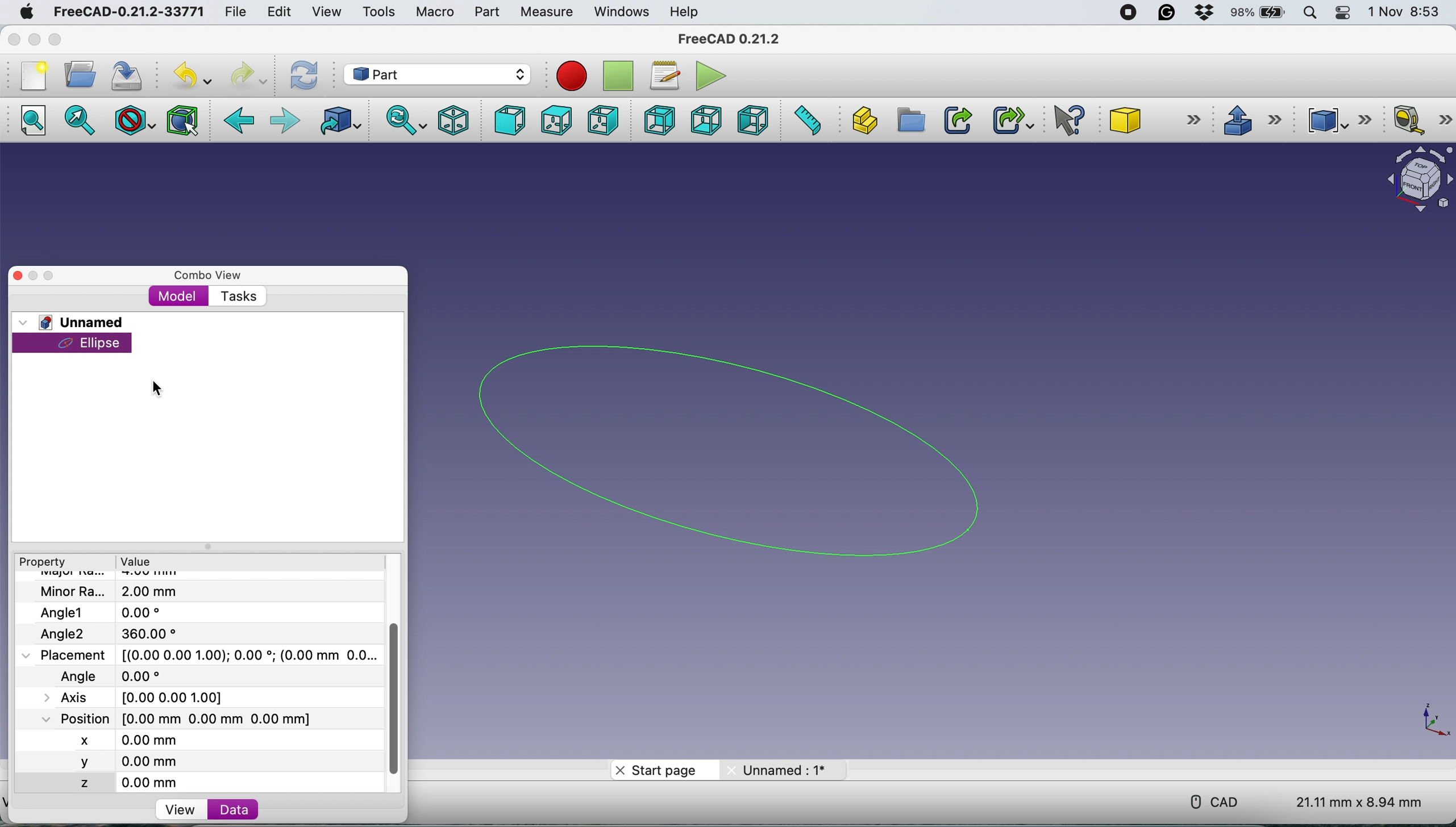 The height and width of the screenshot is (827, 1456). Describe the element at coordinates (117, 633) in the screenshot. I see `Angle` at that location.